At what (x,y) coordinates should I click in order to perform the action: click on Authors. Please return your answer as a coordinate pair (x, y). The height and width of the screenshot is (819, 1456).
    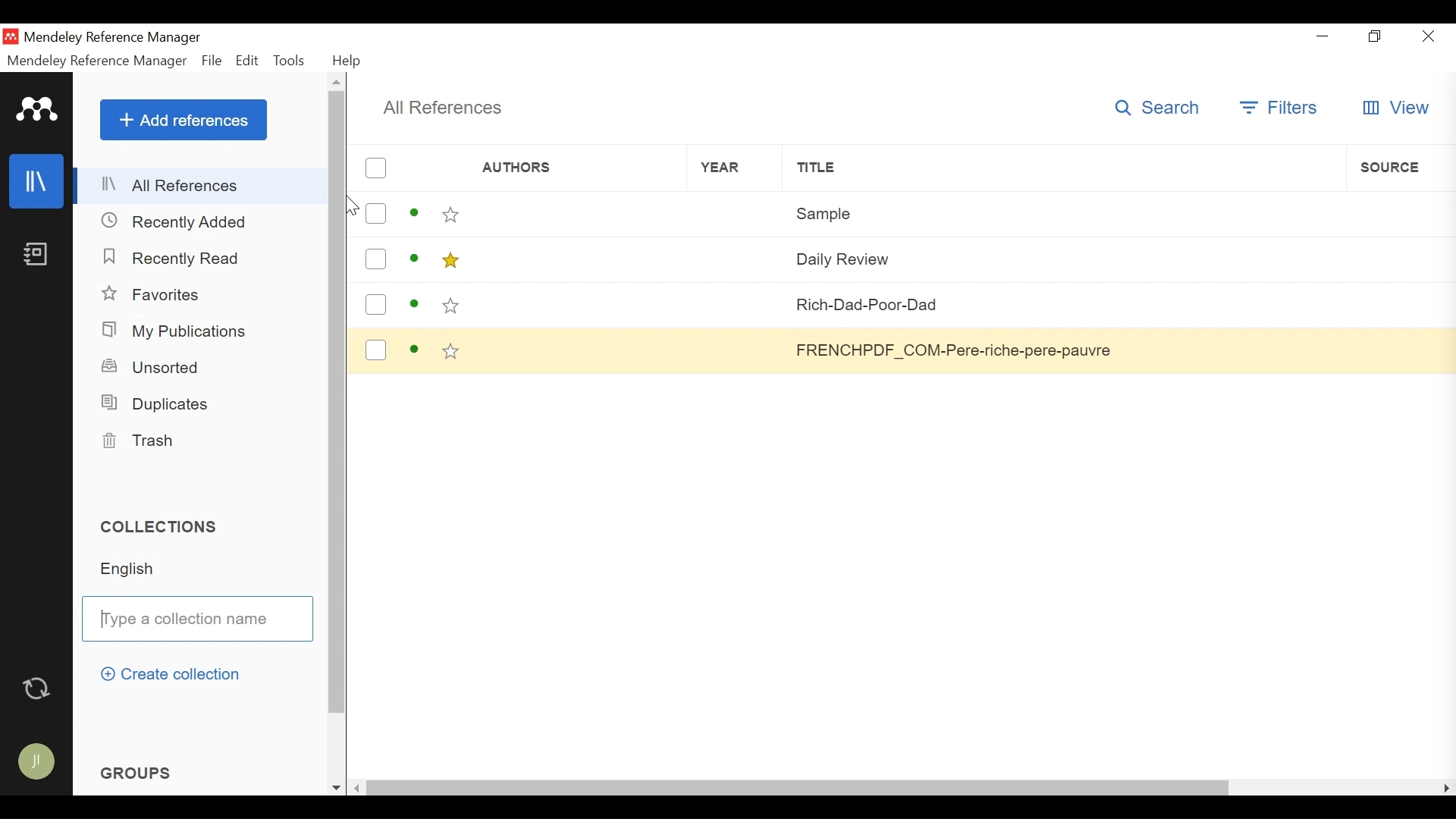
    Looking at the image, I should click on (576, 258).